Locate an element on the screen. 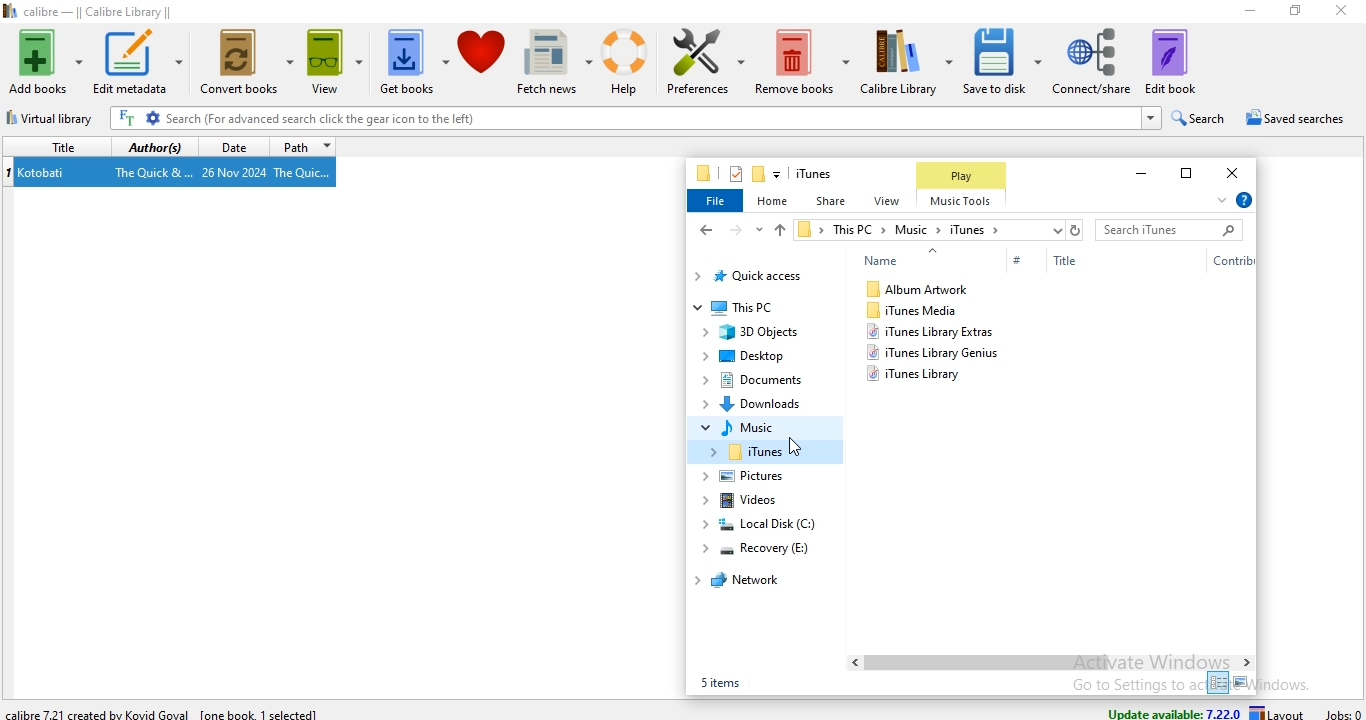 This screenshot has height=720, width=1366. preference is located at coordinates (701, 62).